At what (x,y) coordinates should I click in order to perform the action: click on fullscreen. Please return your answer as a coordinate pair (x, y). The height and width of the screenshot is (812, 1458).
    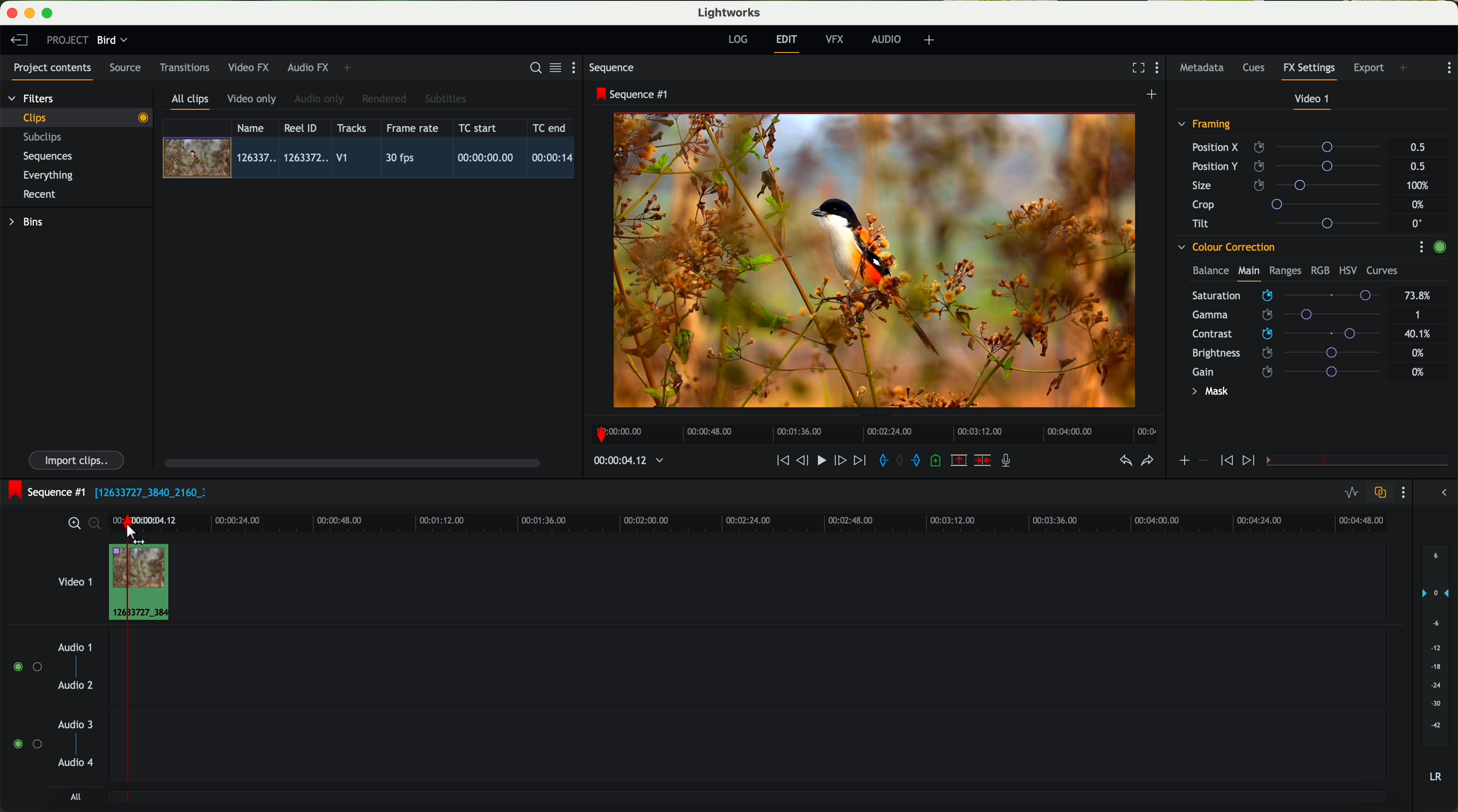
    Looking at the image, I should click on (1136, 67).